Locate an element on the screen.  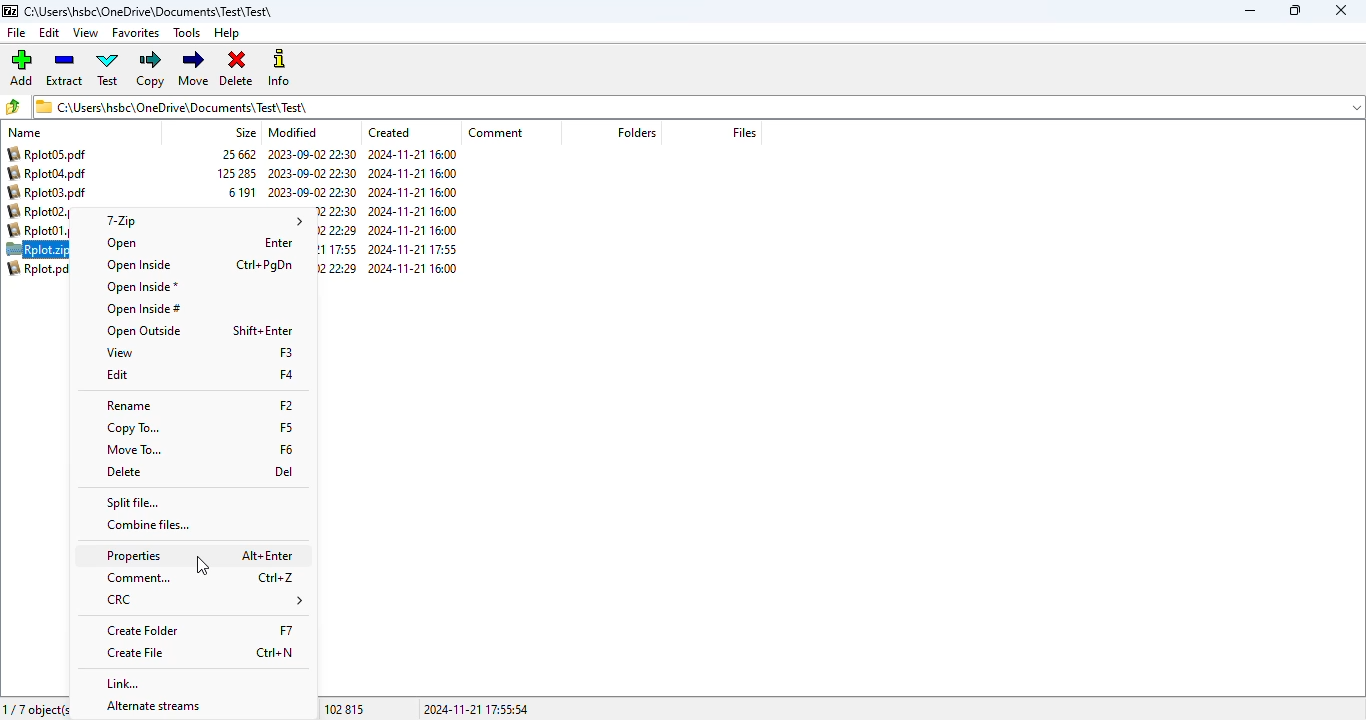
favorites is located at coordinates (135, 33).